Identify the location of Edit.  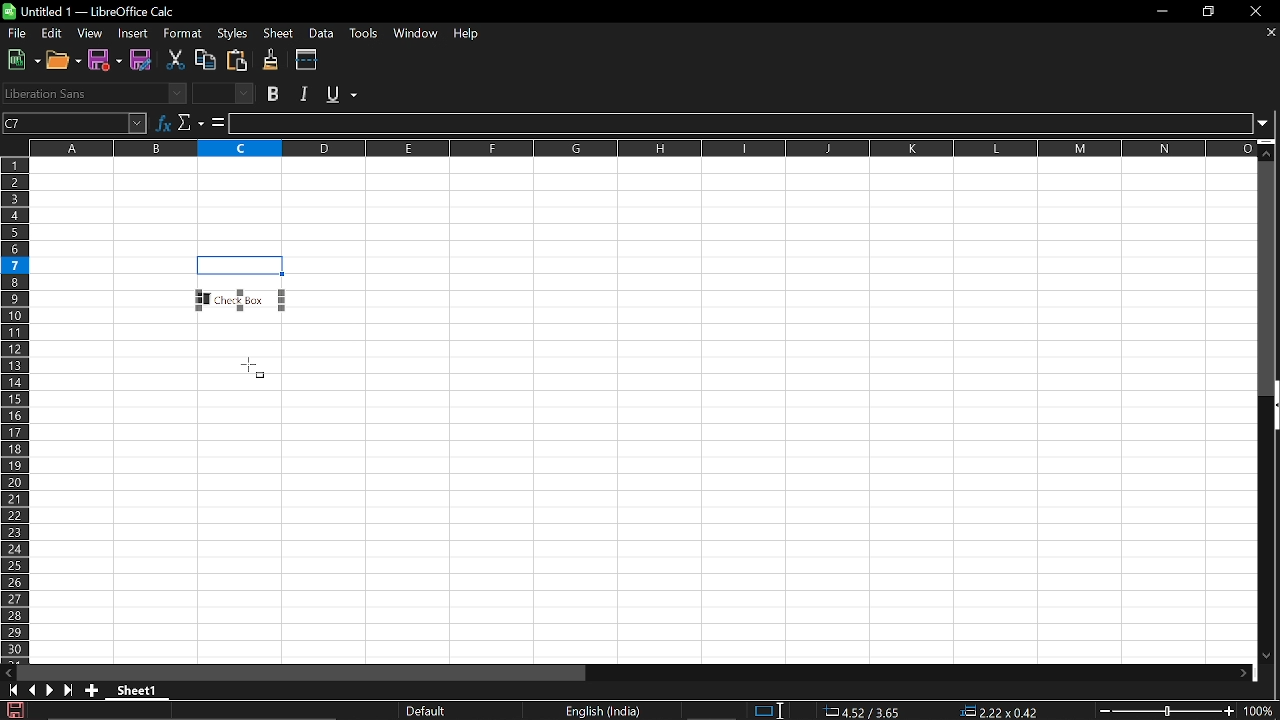
(53, 34).